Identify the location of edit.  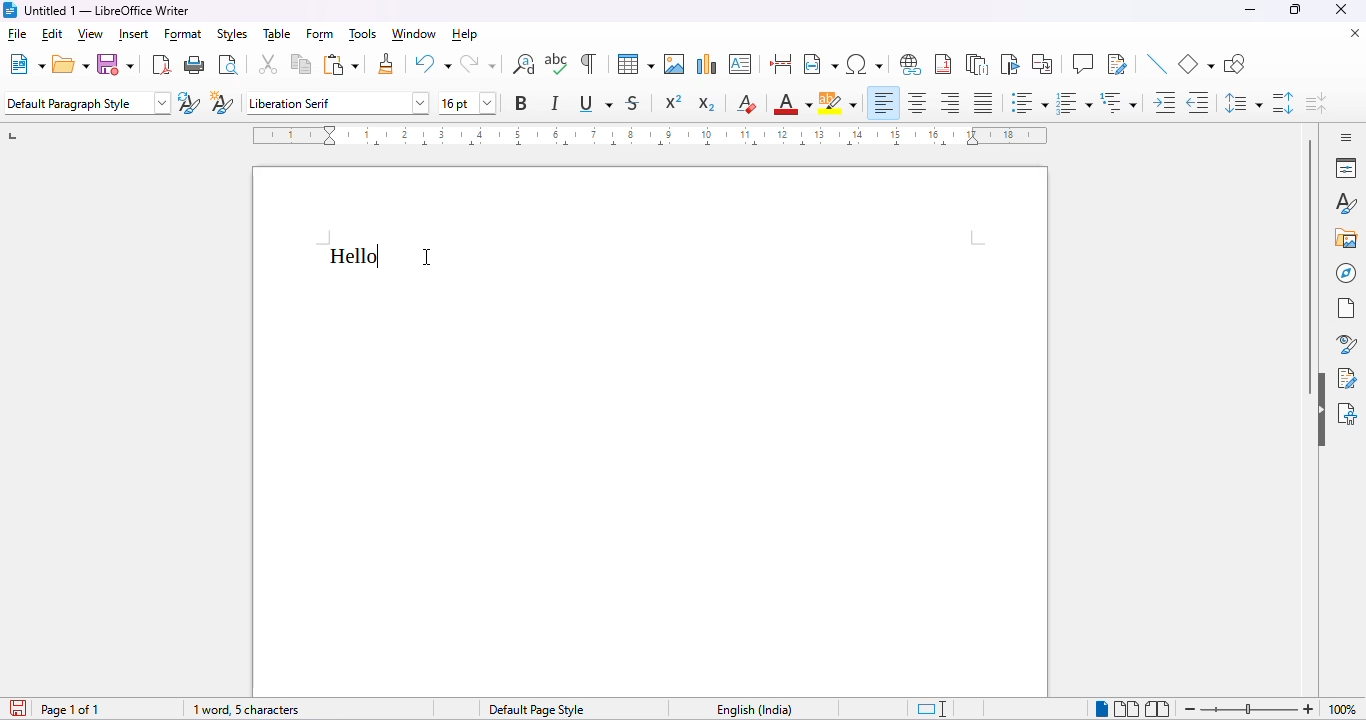
(51, 34).